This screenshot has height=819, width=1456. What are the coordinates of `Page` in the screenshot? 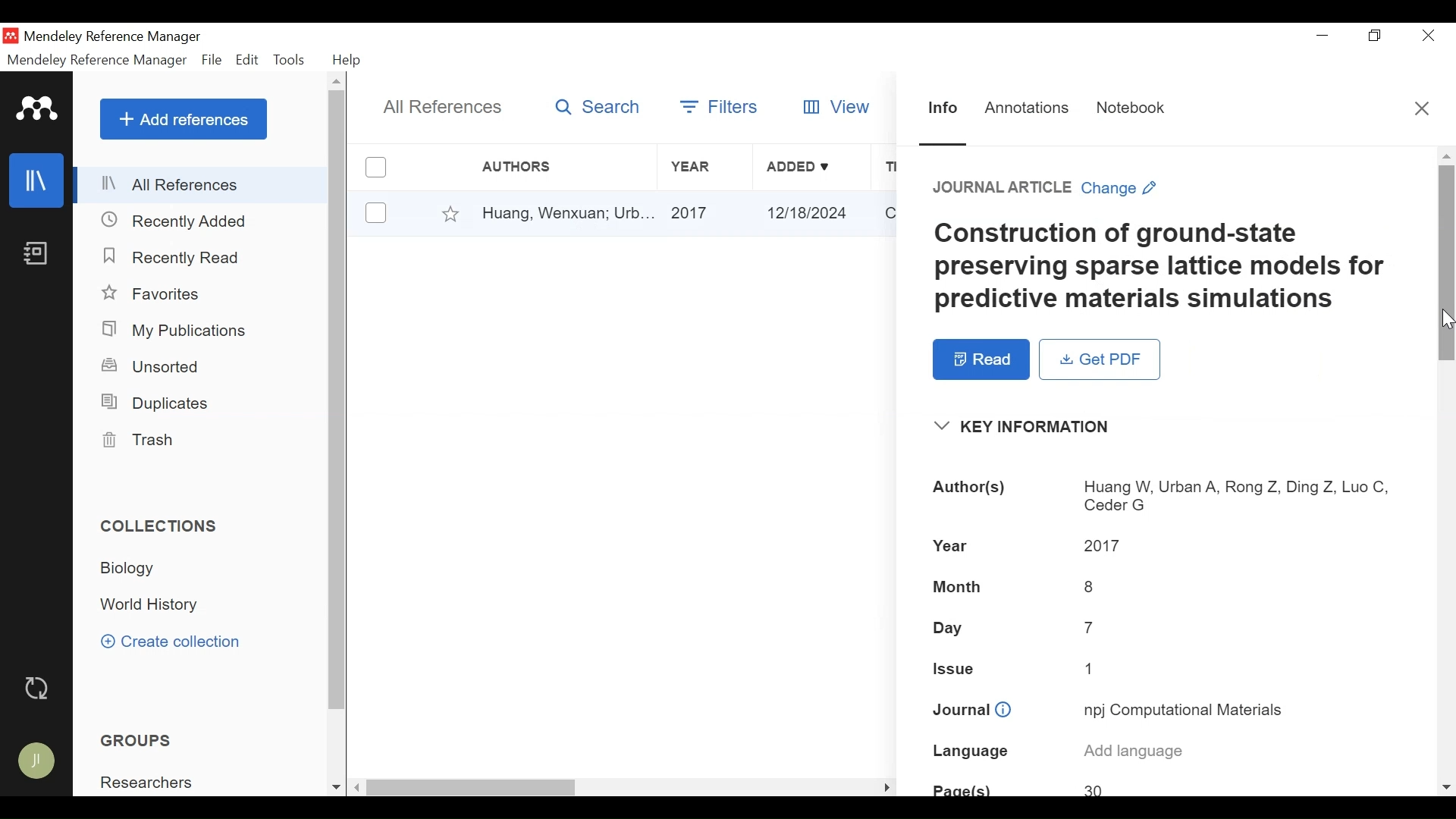 It's located at (962, 788).